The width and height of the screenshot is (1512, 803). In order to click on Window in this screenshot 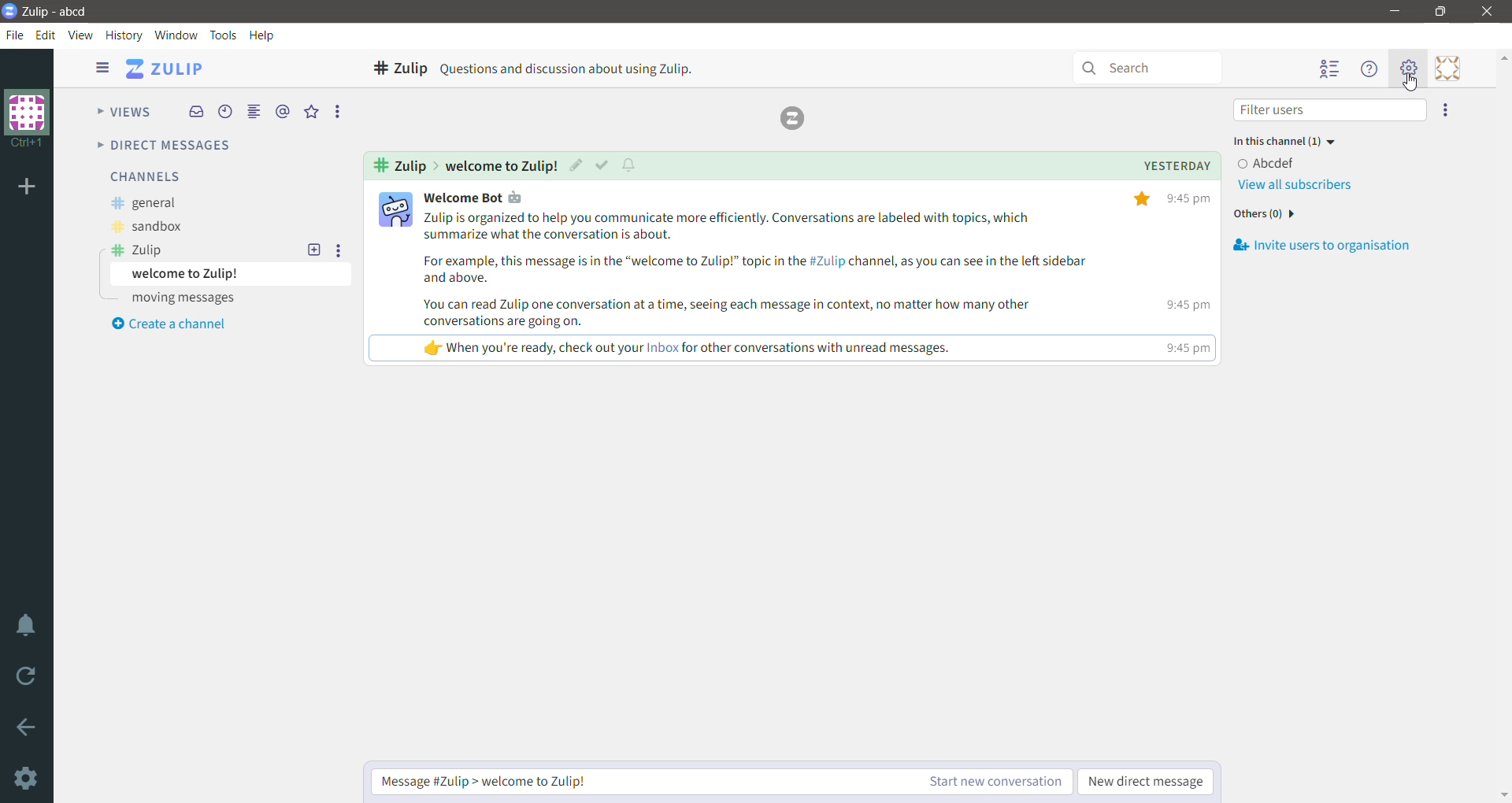, I will do `click(176, 35)`.